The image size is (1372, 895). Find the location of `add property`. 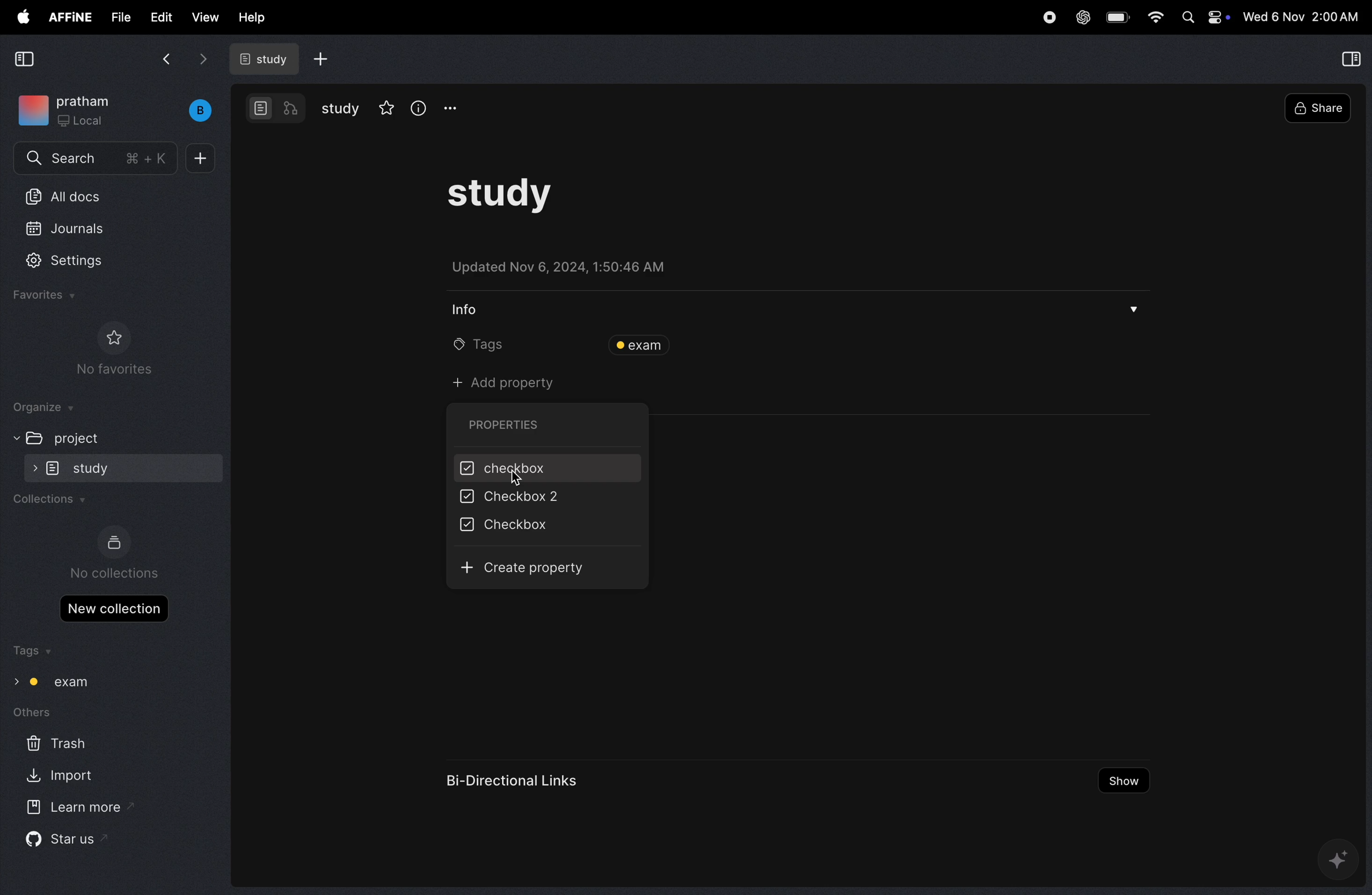

add property is located at coordinates (502, 384).